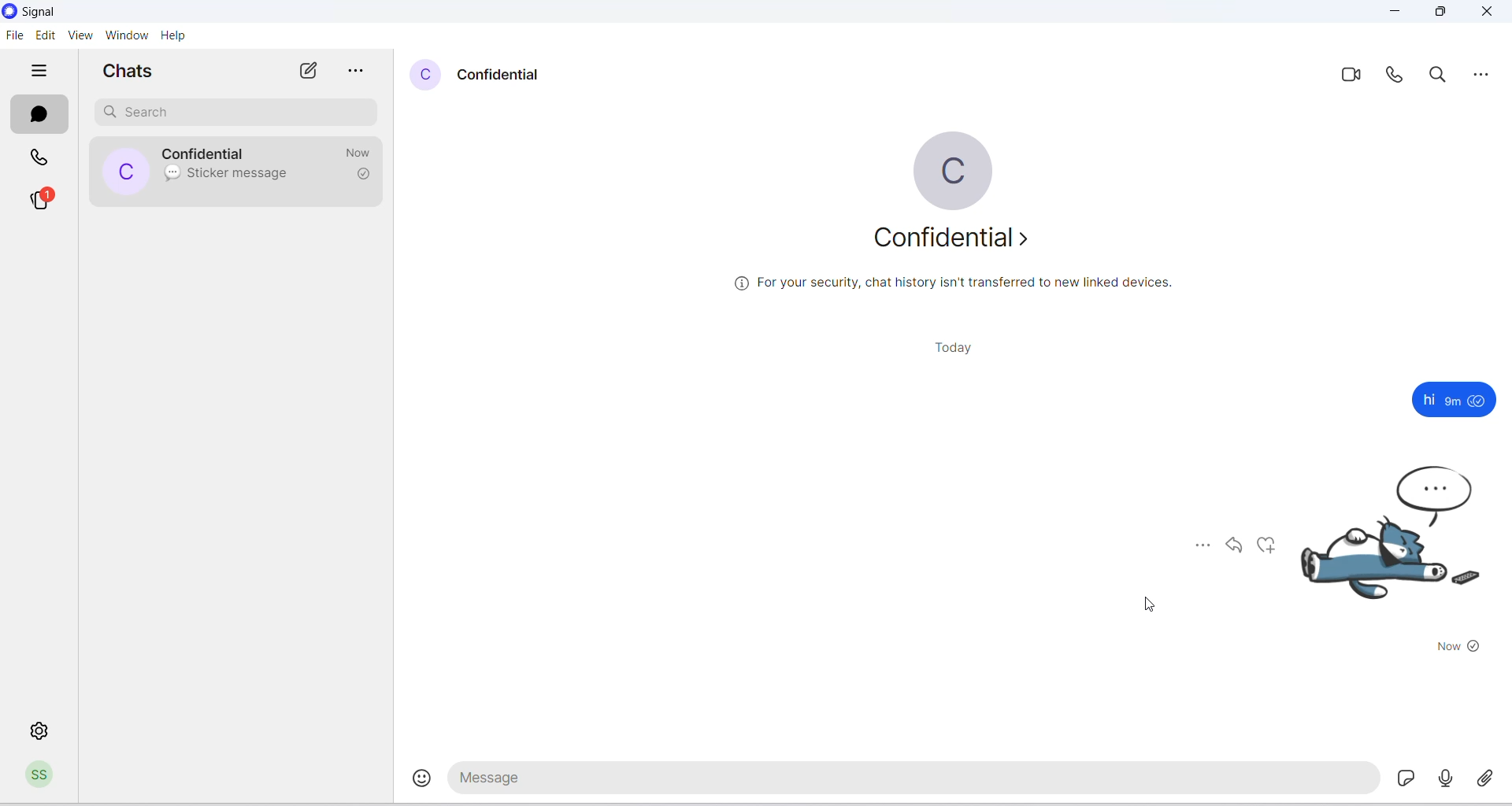  I want to click on calls, so click(42, 155).